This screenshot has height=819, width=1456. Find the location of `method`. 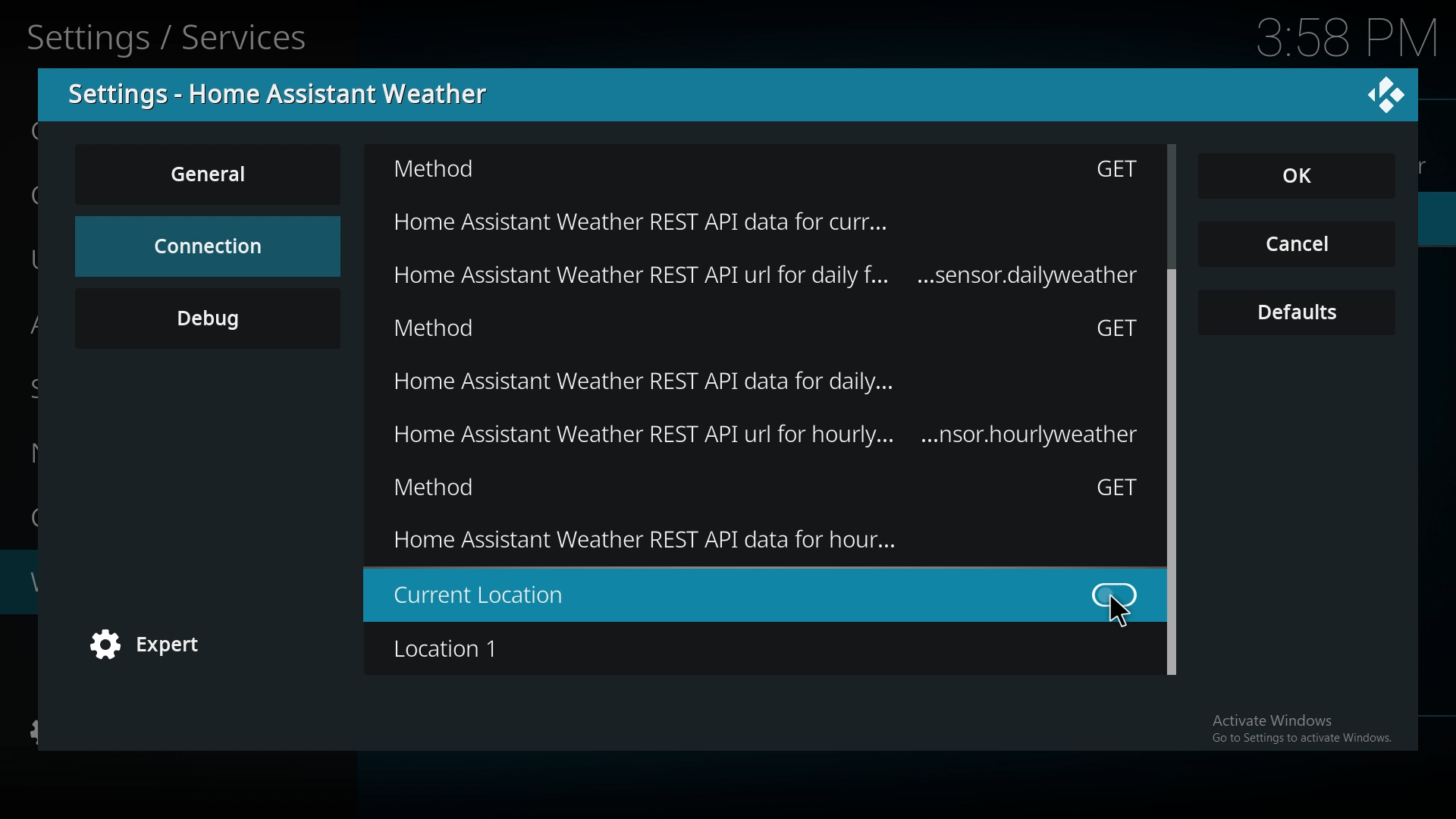

method is located at coordinates (769, 331).